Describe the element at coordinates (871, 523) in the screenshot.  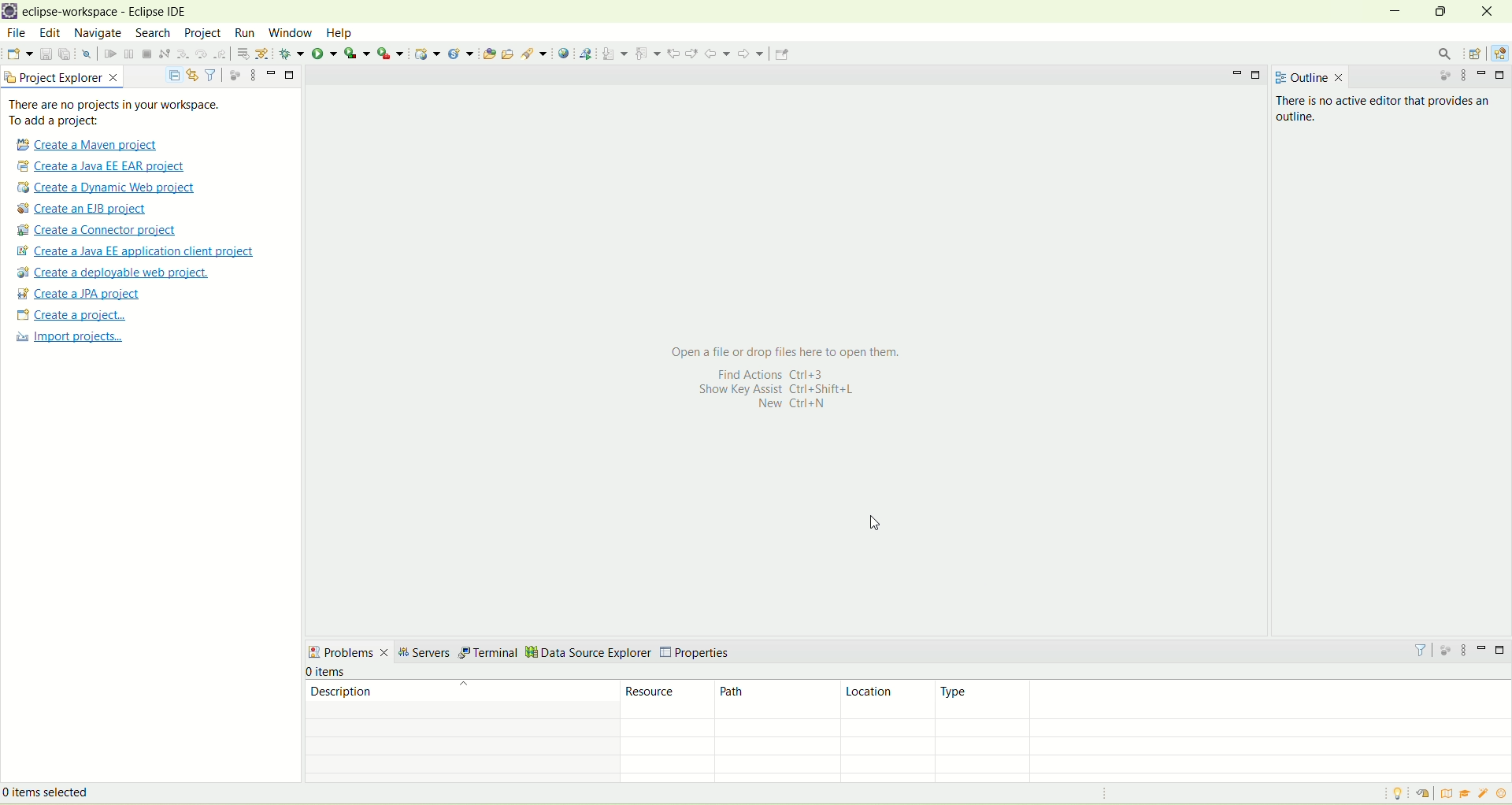
I see `cursor` at that location.